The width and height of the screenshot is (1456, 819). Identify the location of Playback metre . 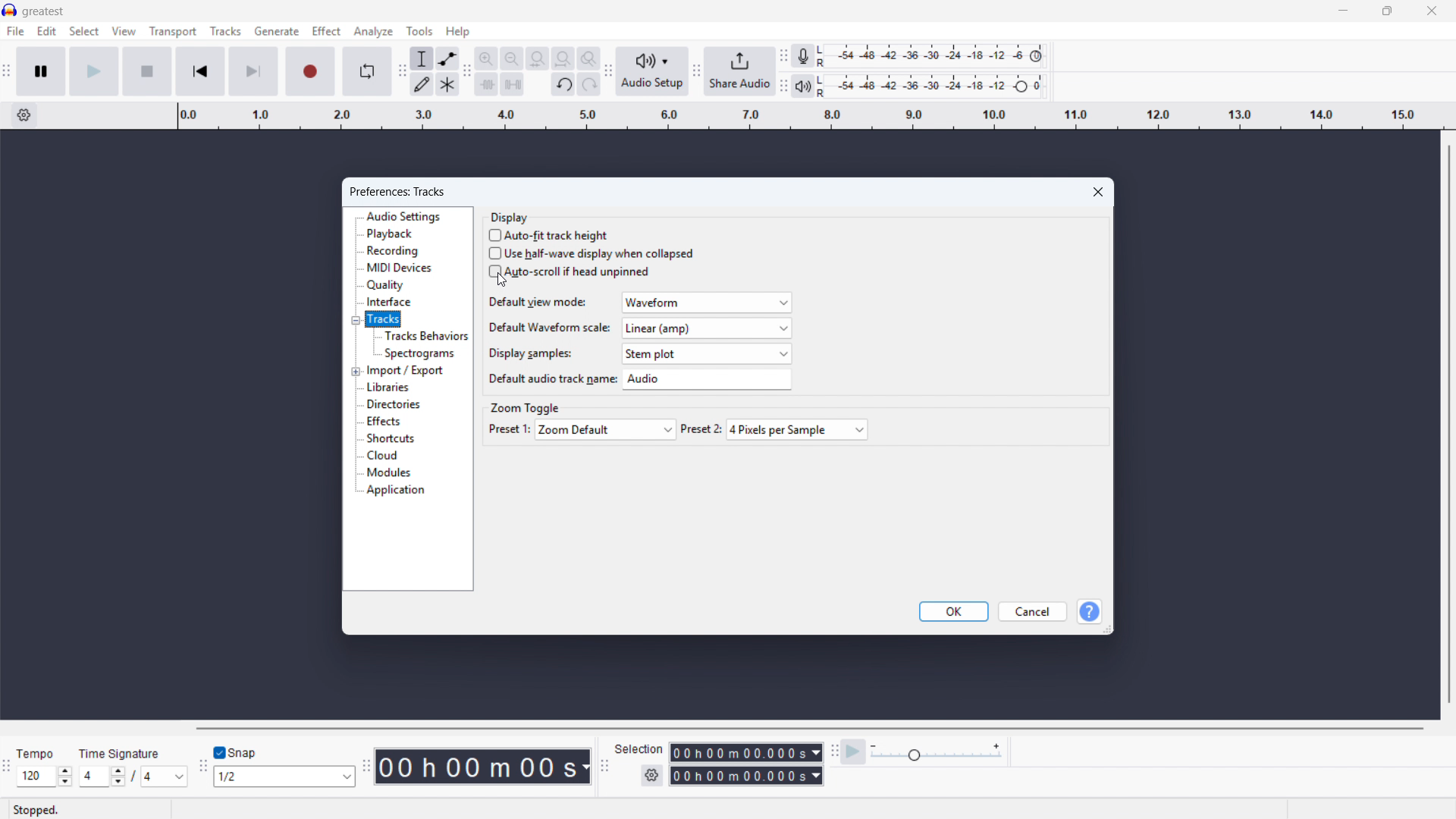
(803, 86).